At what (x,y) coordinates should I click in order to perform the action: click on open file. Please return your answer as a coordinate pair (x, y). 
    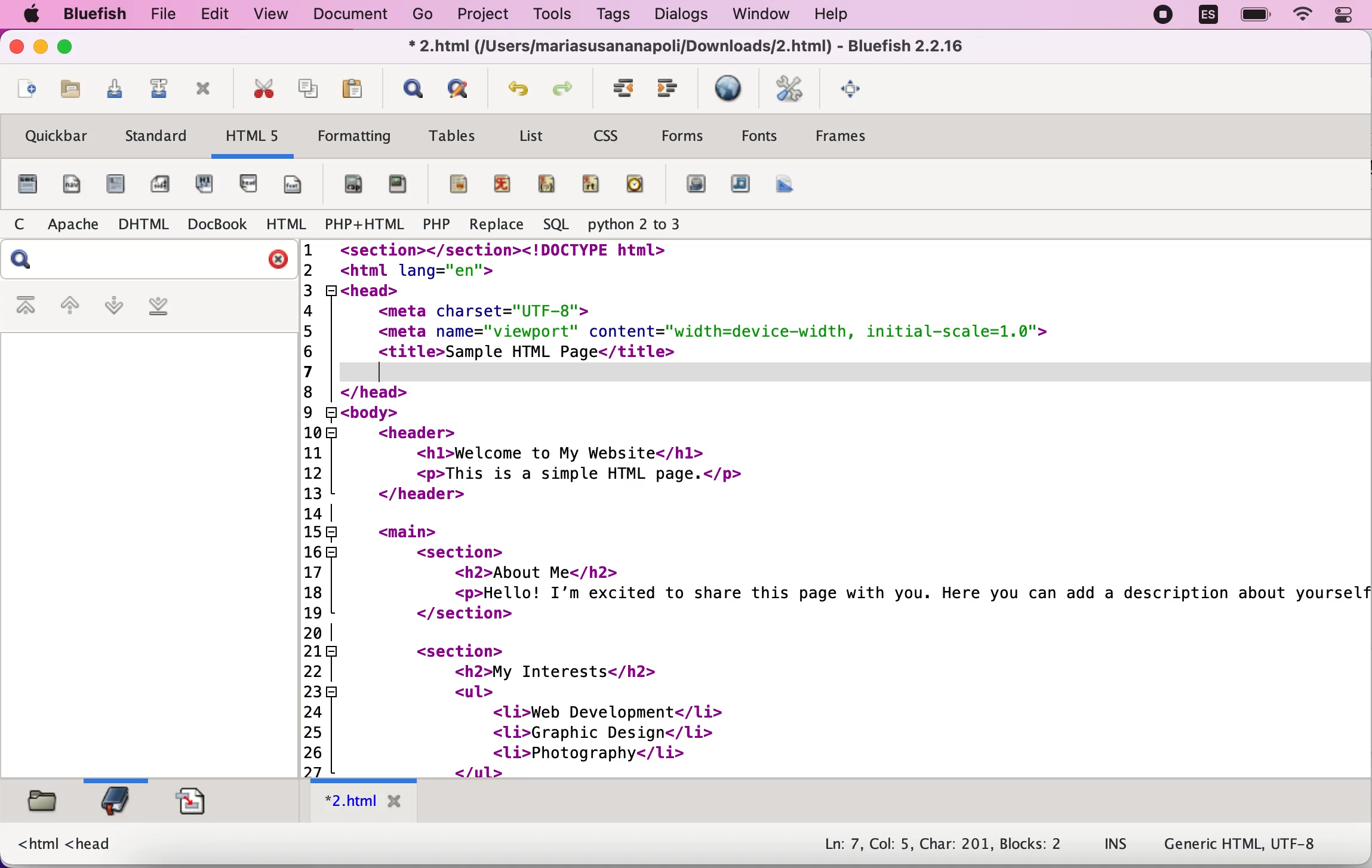
    Looking at the image, I should click on (71, 90).